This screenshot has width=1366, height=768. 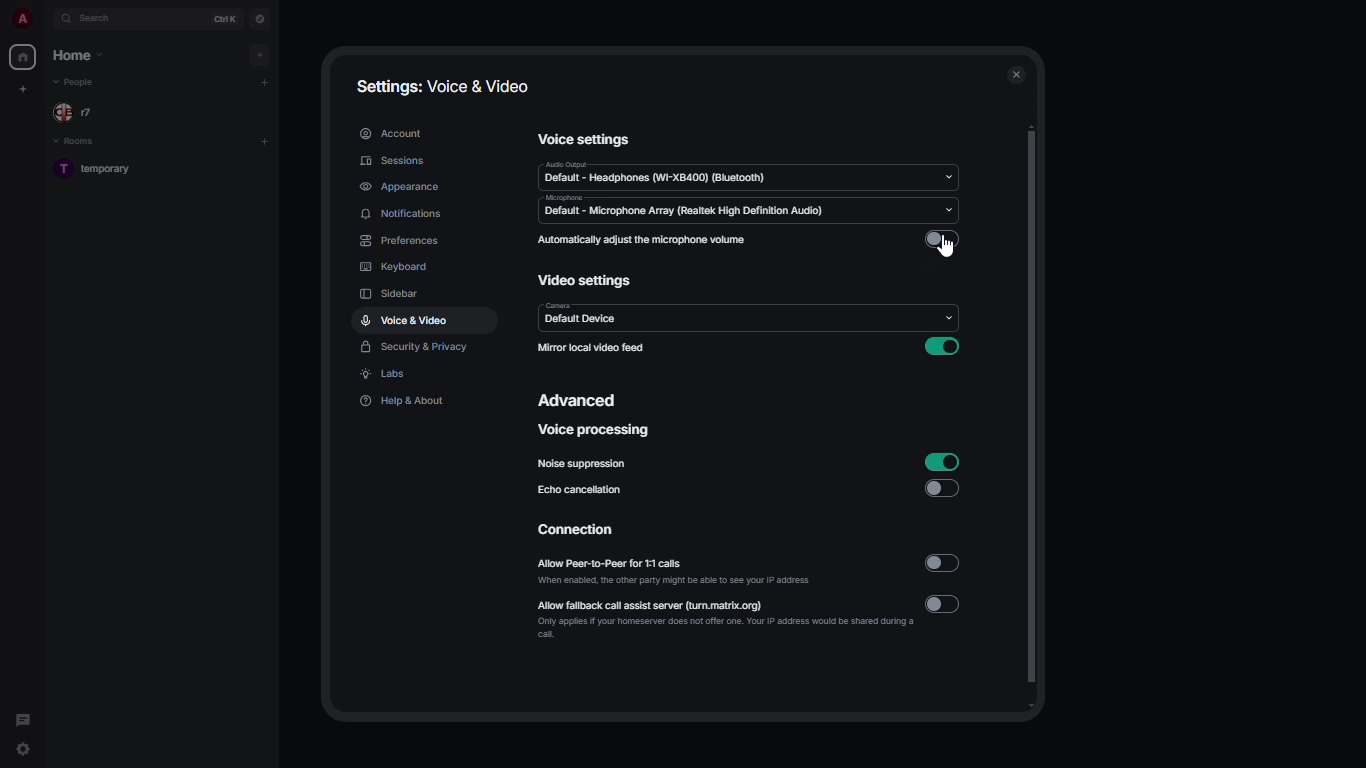 What do you see at coordinates (265, 142) in the screenshot?
I see `add` at bounding box center [265, 142].